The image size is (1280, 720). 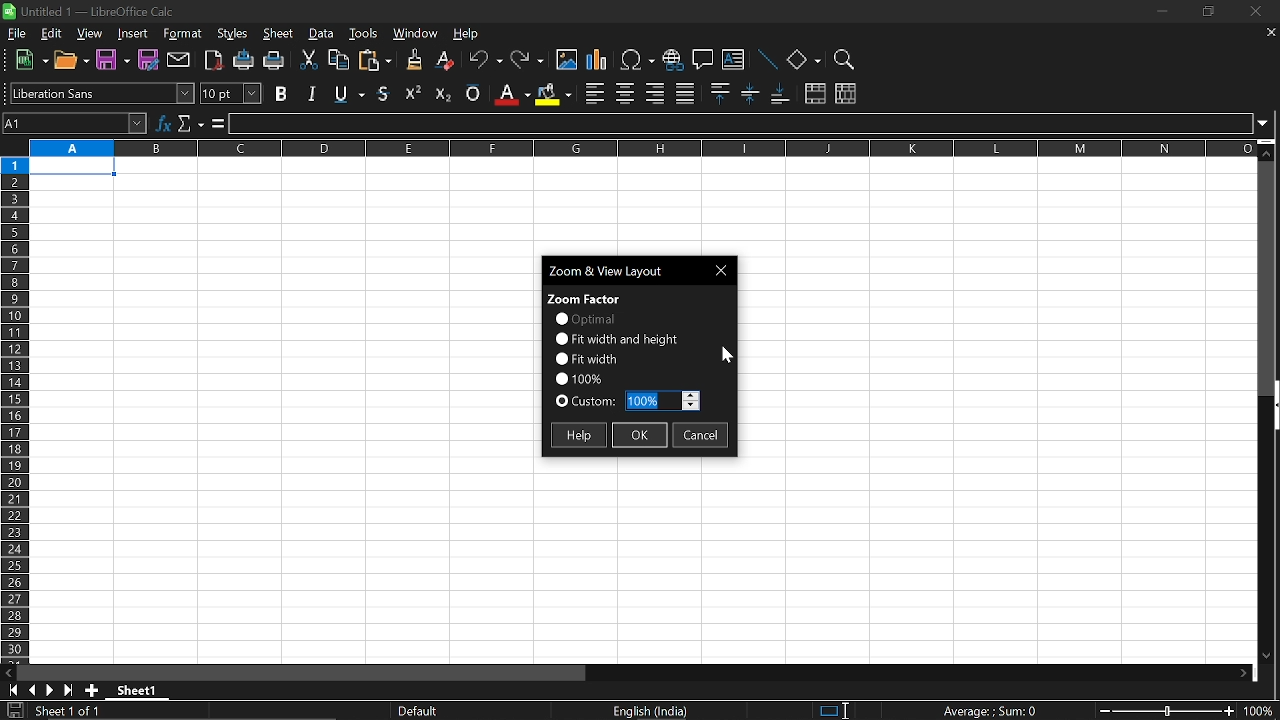 I want to click on sheet name, so click(x=142, y=690).